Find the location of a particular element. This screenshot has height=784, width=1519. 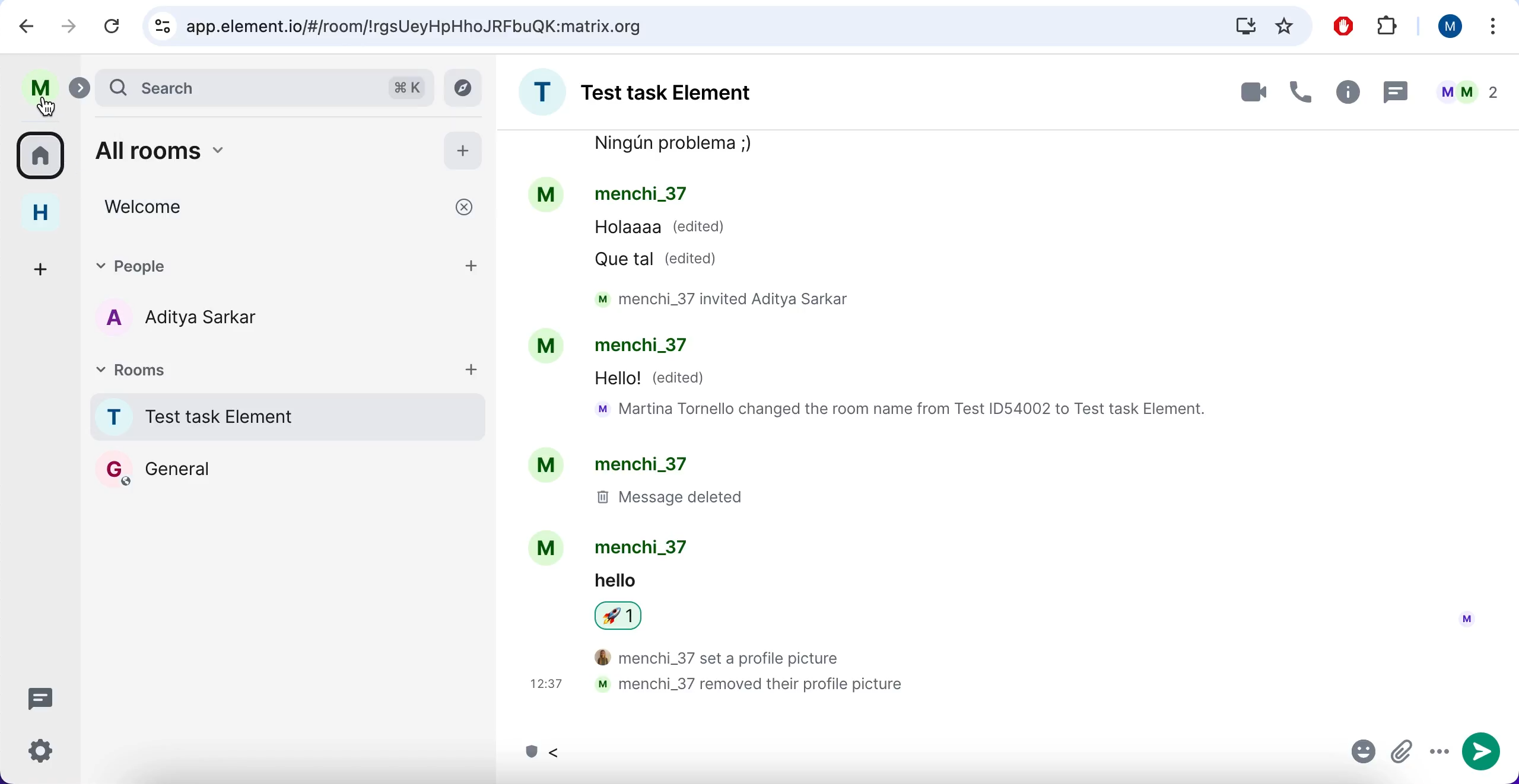

options is located at coordinates (1438, 755).